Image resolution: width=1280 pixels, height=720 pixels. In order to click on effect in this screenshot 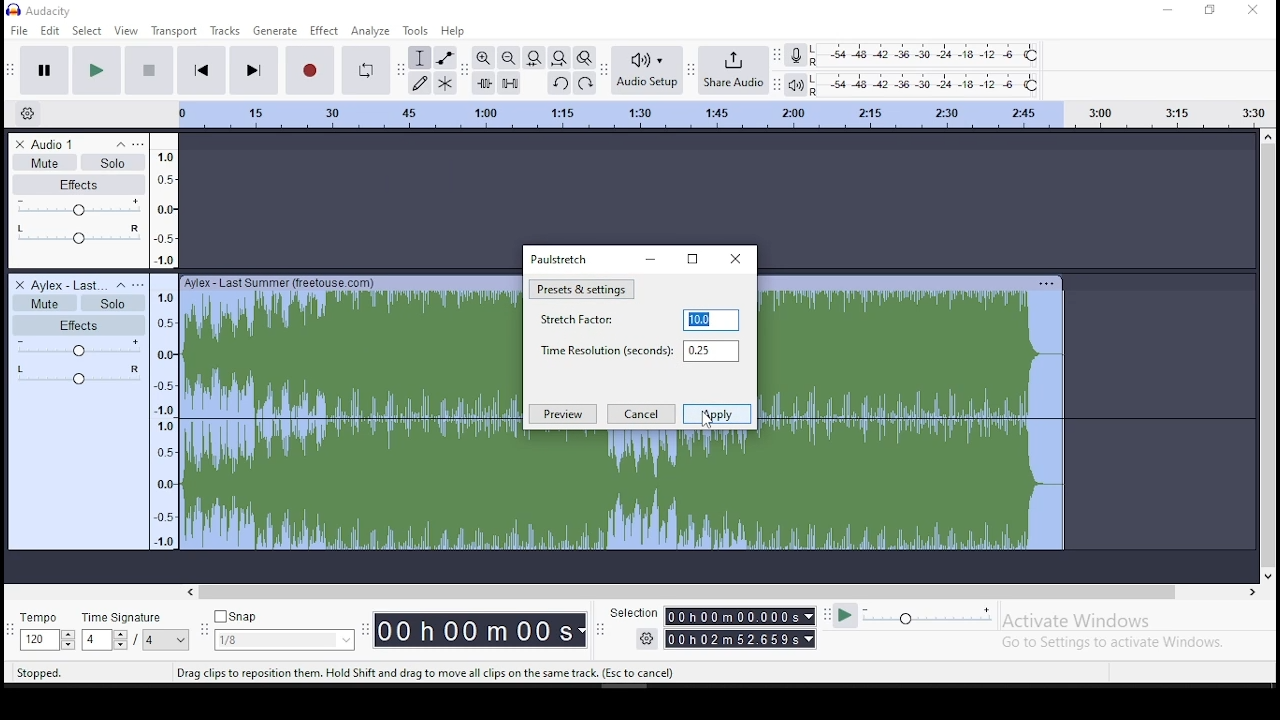, I will do `click(324, 31)`.